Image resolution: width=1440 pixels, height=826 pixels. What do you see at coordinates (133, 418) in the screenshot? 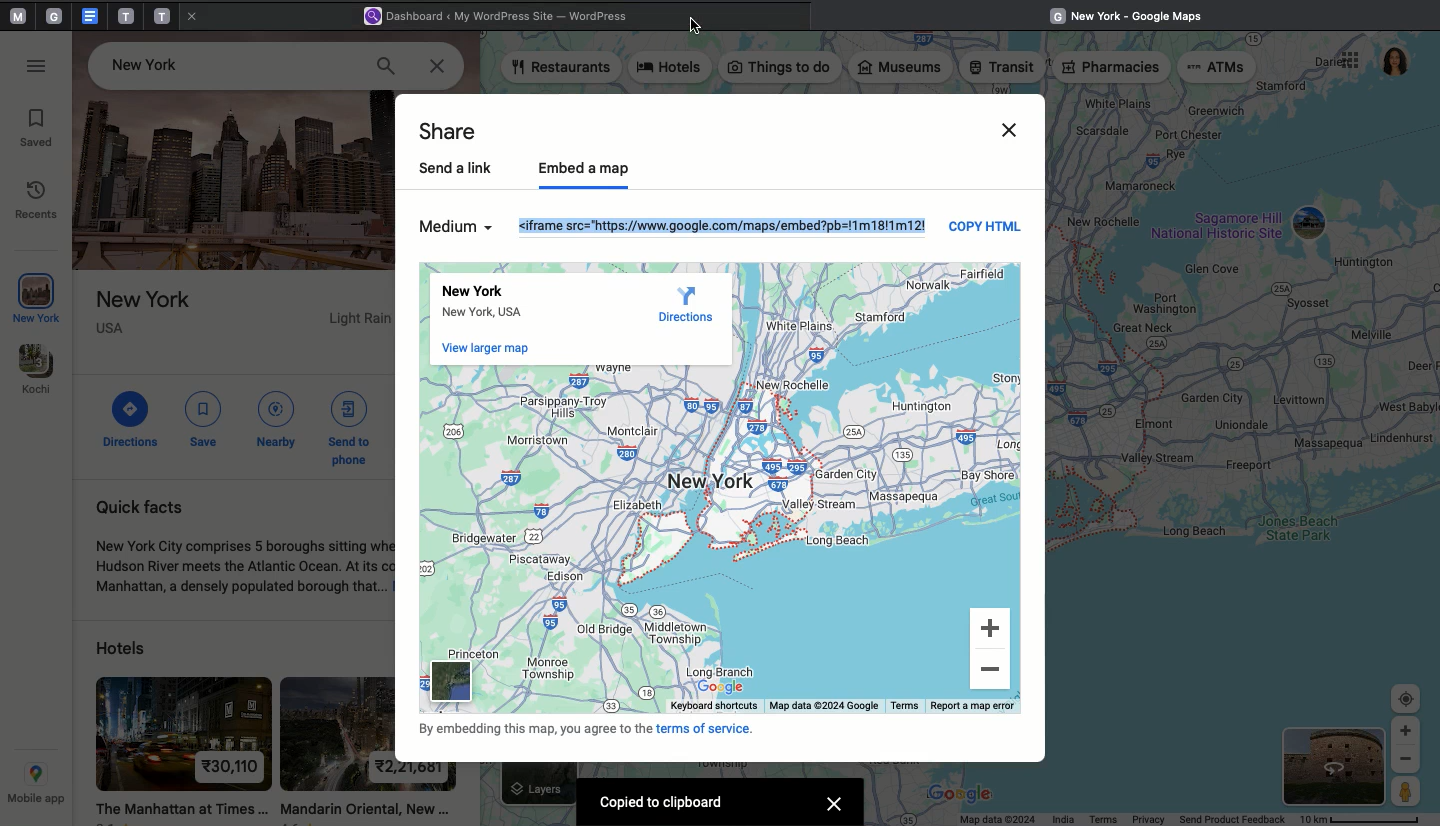
I see `Directions` at bounding box center [133, 418].